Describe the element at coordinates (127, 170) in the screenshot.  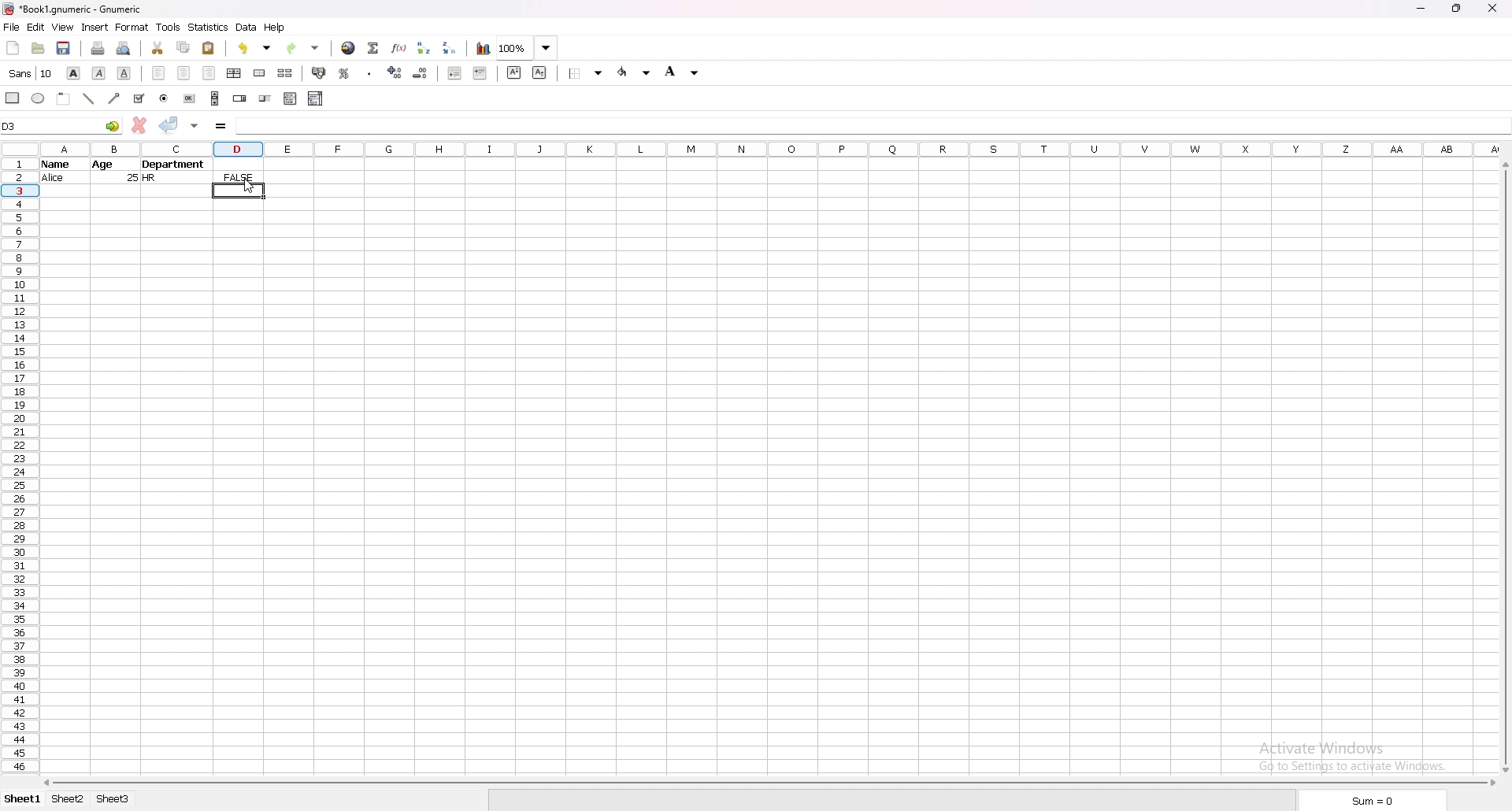
I see `data` at that location.